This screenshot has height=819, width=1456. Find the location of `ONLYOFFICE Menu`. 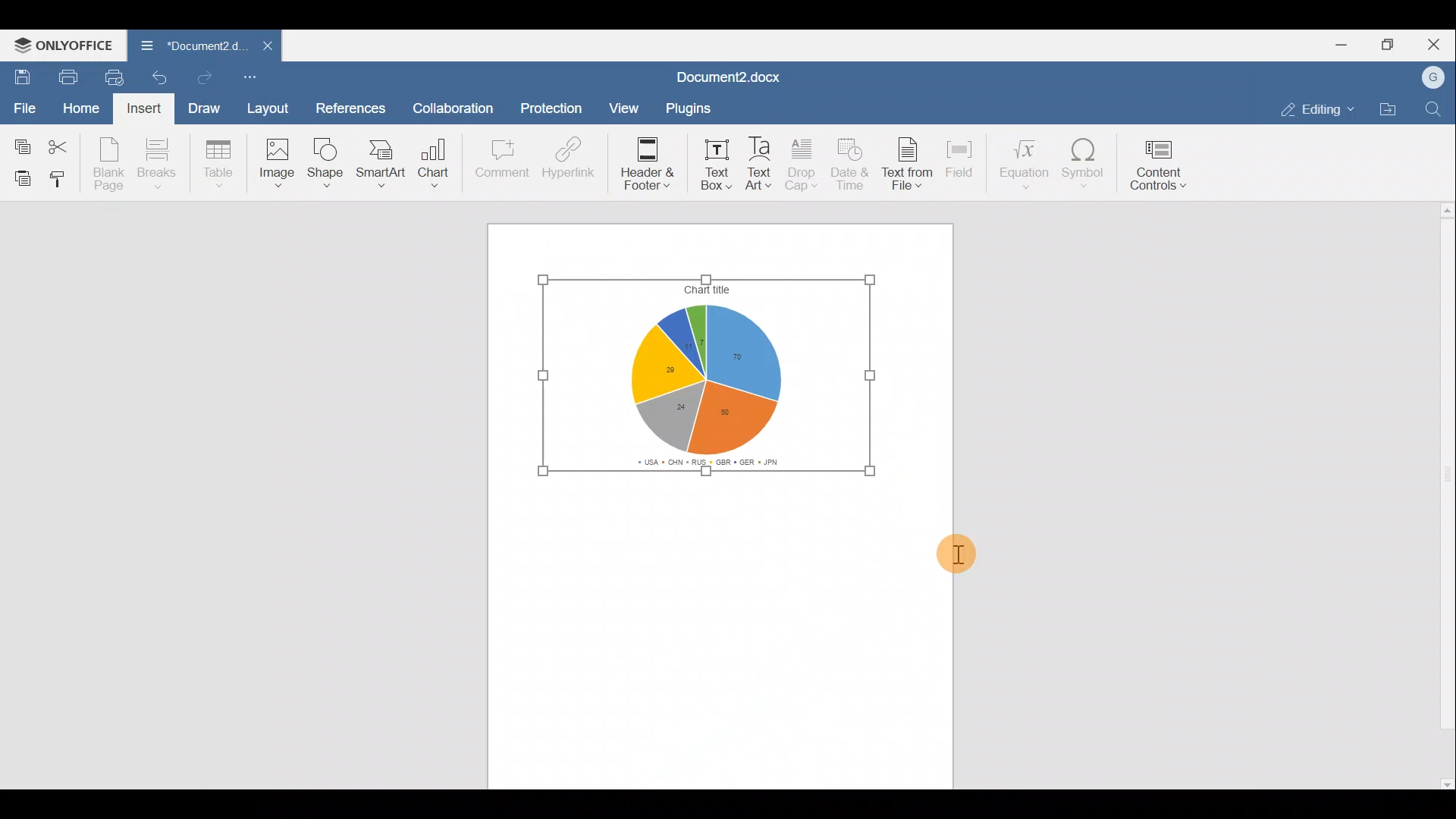

ONLYOFFICE Menu is located at coordinates (61, 45).